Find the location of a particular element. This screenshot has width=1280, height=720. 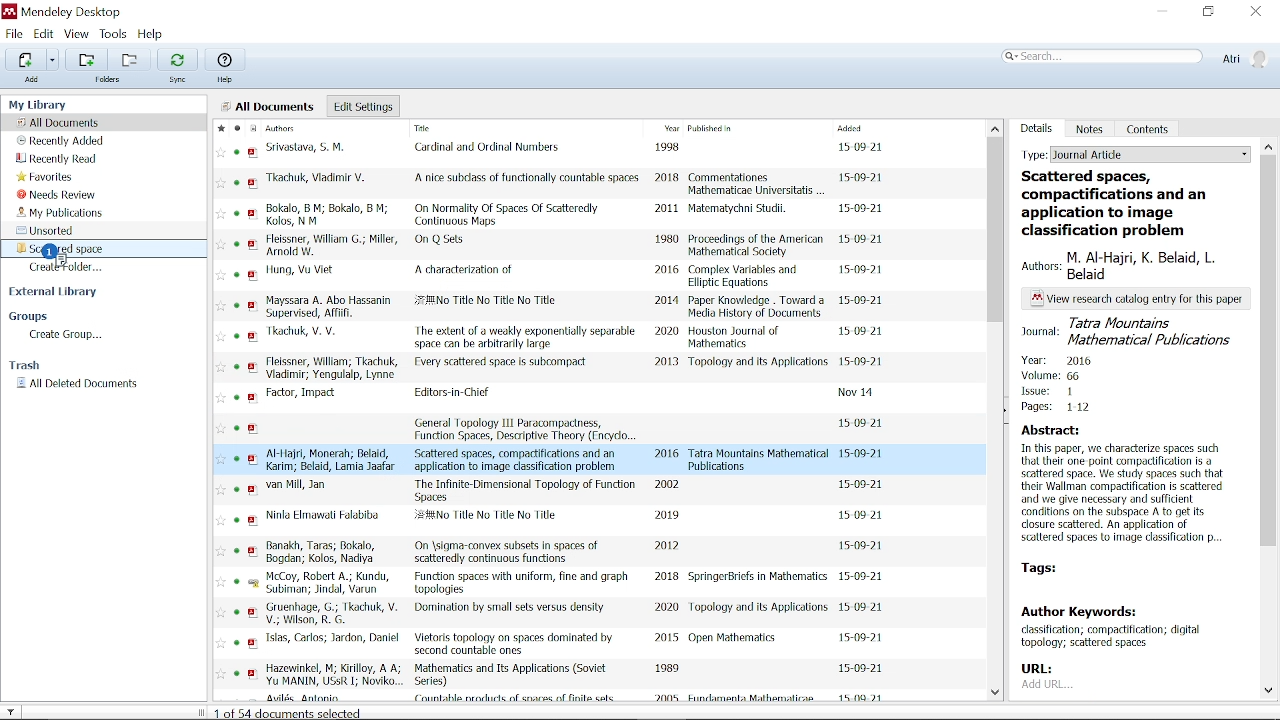

date is located at coordinates (864, 546).